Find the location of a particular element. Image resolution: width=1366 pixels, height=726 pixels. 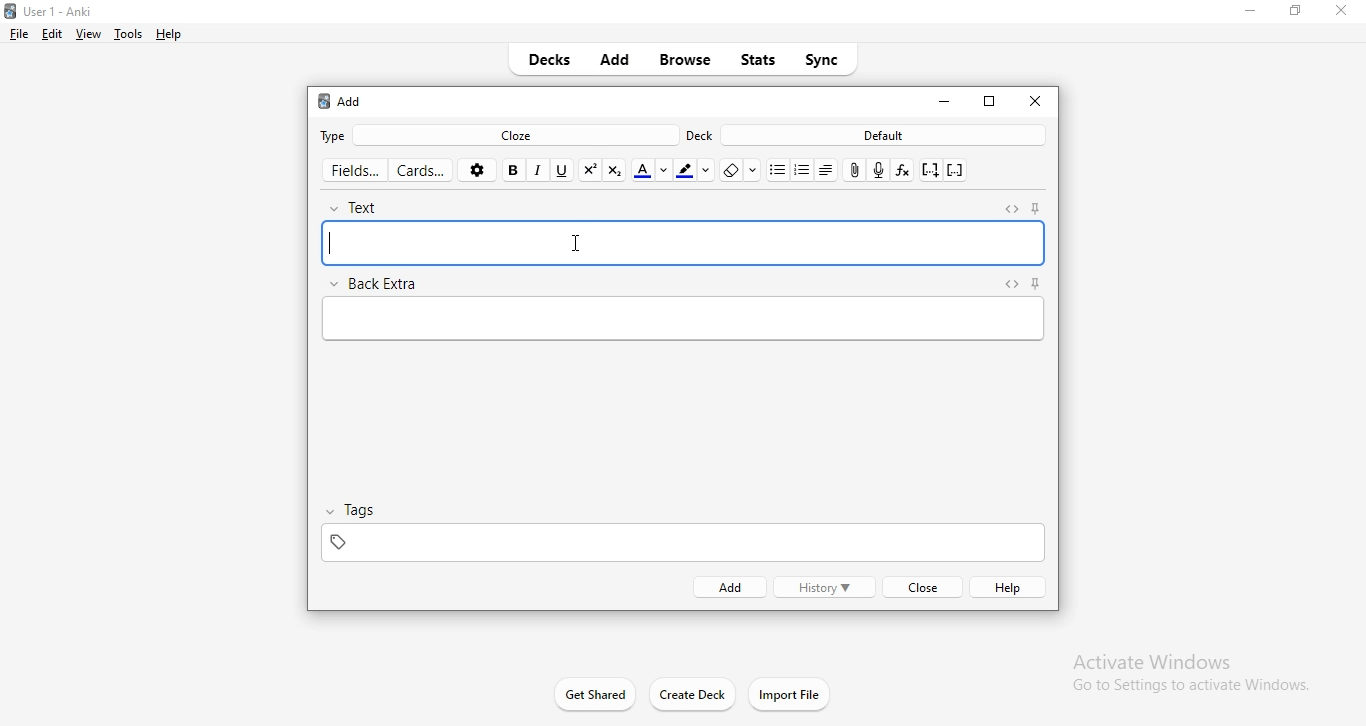

text box is located at coordinates (685, 244).